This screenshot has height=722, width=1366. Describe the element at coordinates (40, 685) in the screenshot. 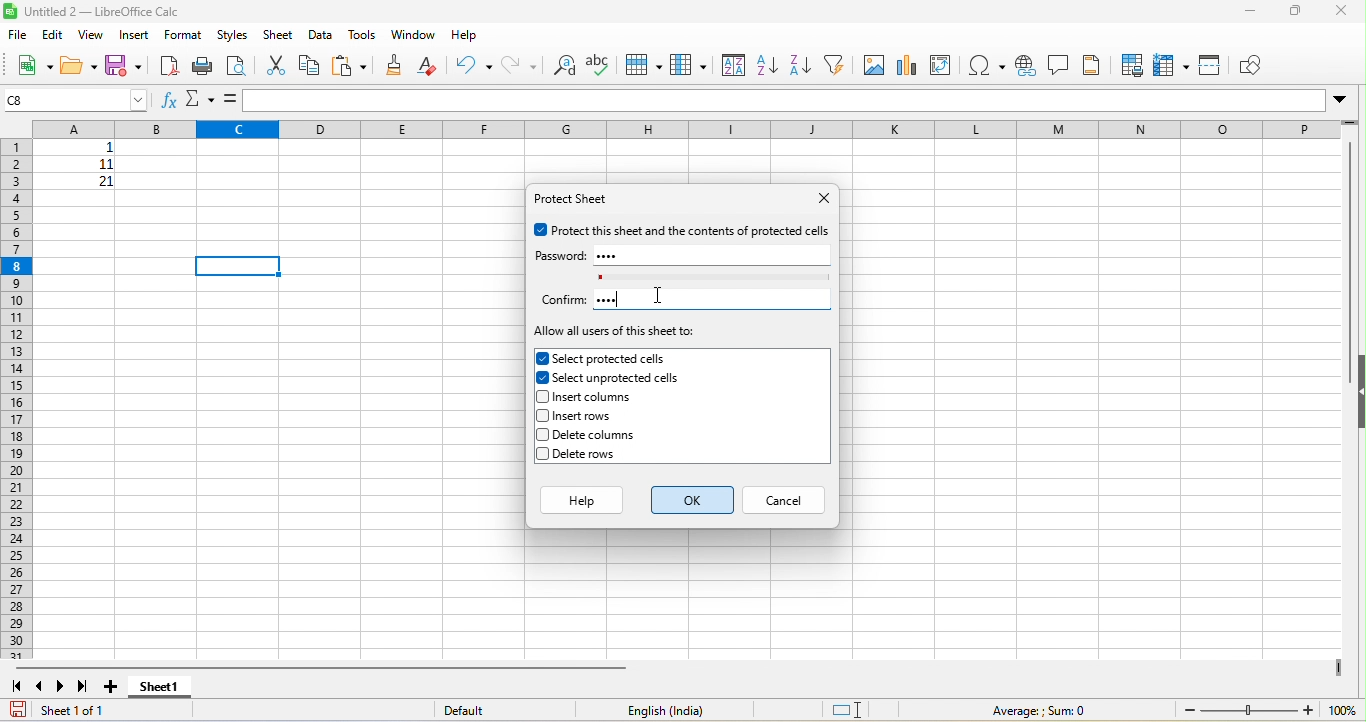

I see `previous` at that location.